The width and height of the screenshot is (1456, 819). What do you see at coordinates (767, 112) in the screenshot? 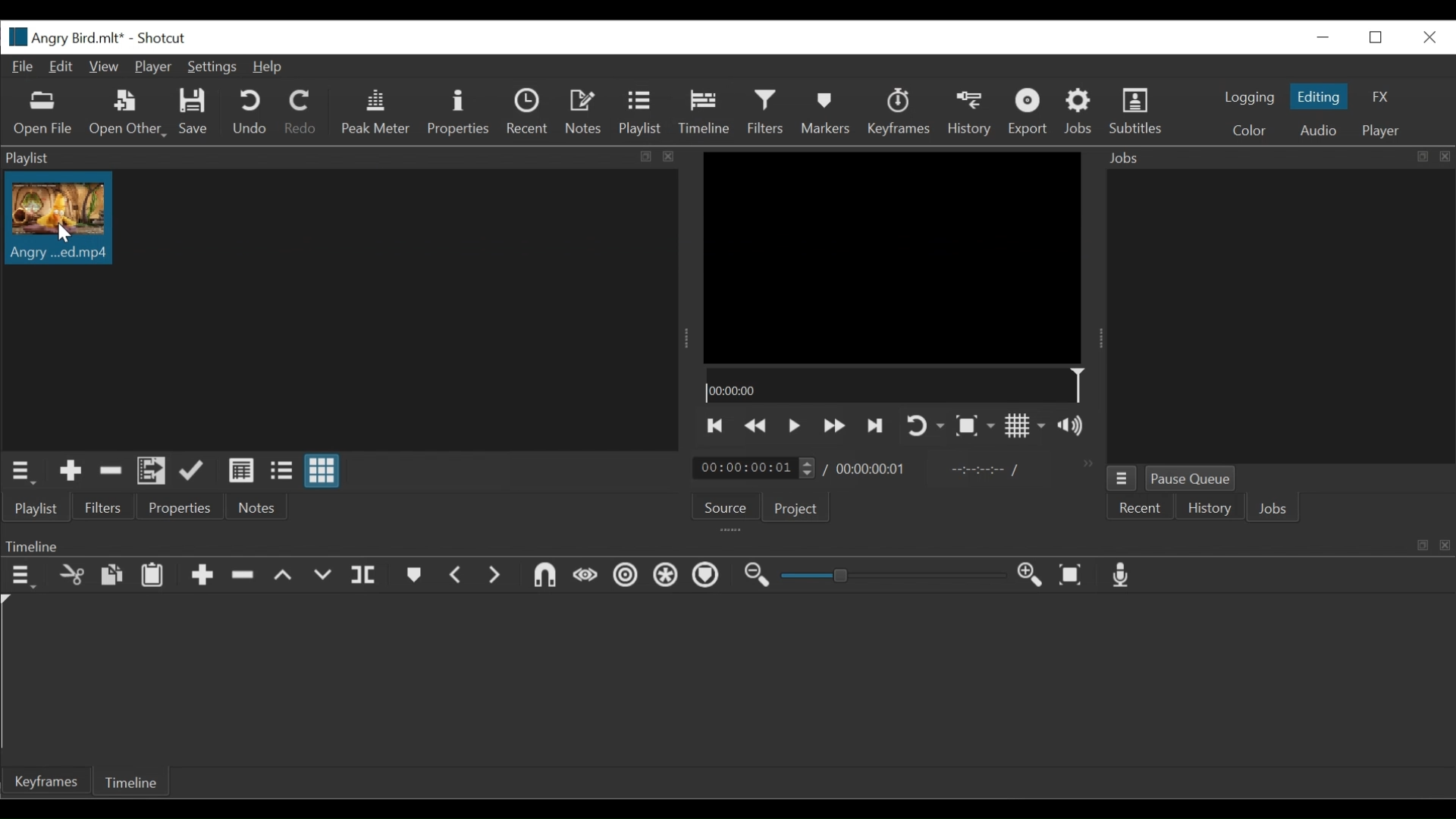
I see `Filters` at bounding box center [767, 112].